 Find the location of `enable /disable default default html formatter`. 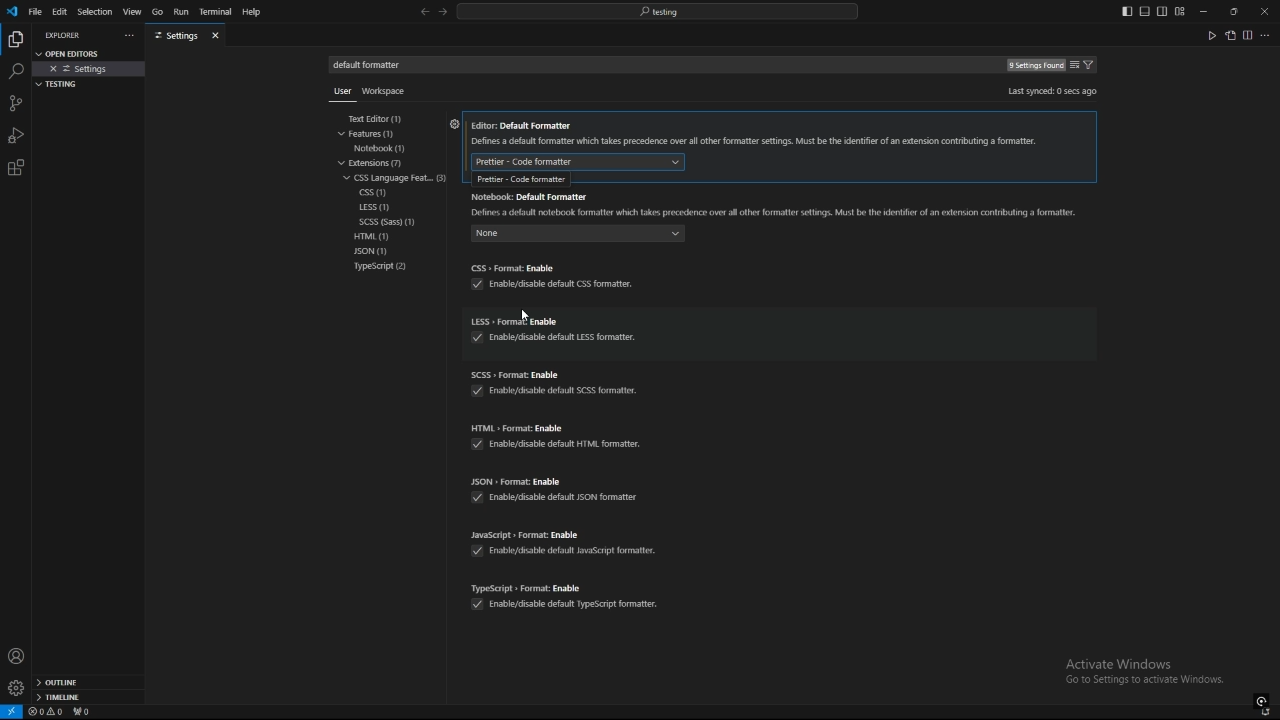

enable /disable default default html formatter is located at coordinates (559, 444).